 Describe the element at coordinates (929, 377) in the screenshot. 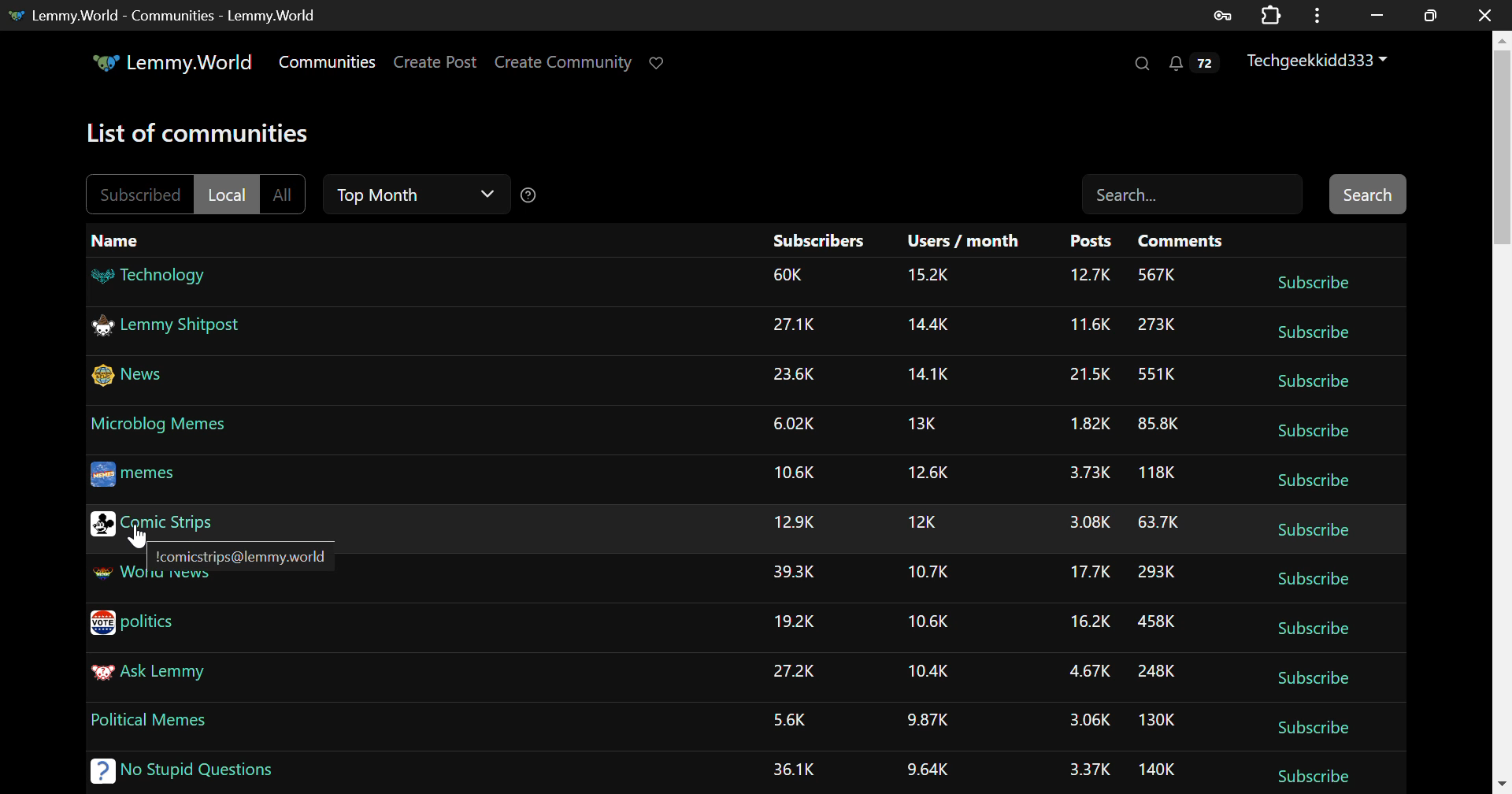

I see `Amount` at that location.